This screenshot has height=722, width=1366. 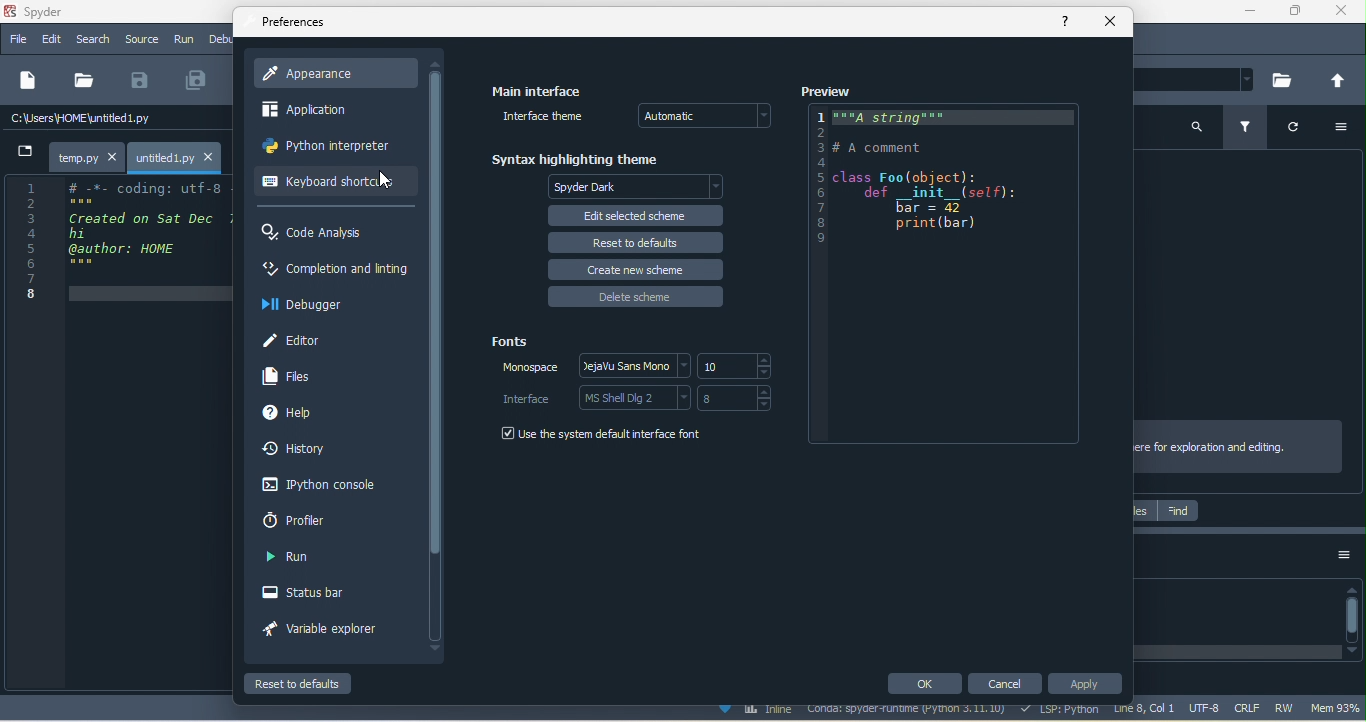 What do you see at coordinates (602, 436) in the screenshot?
I see `use the system default interface font` at bounding box center [602, 436].